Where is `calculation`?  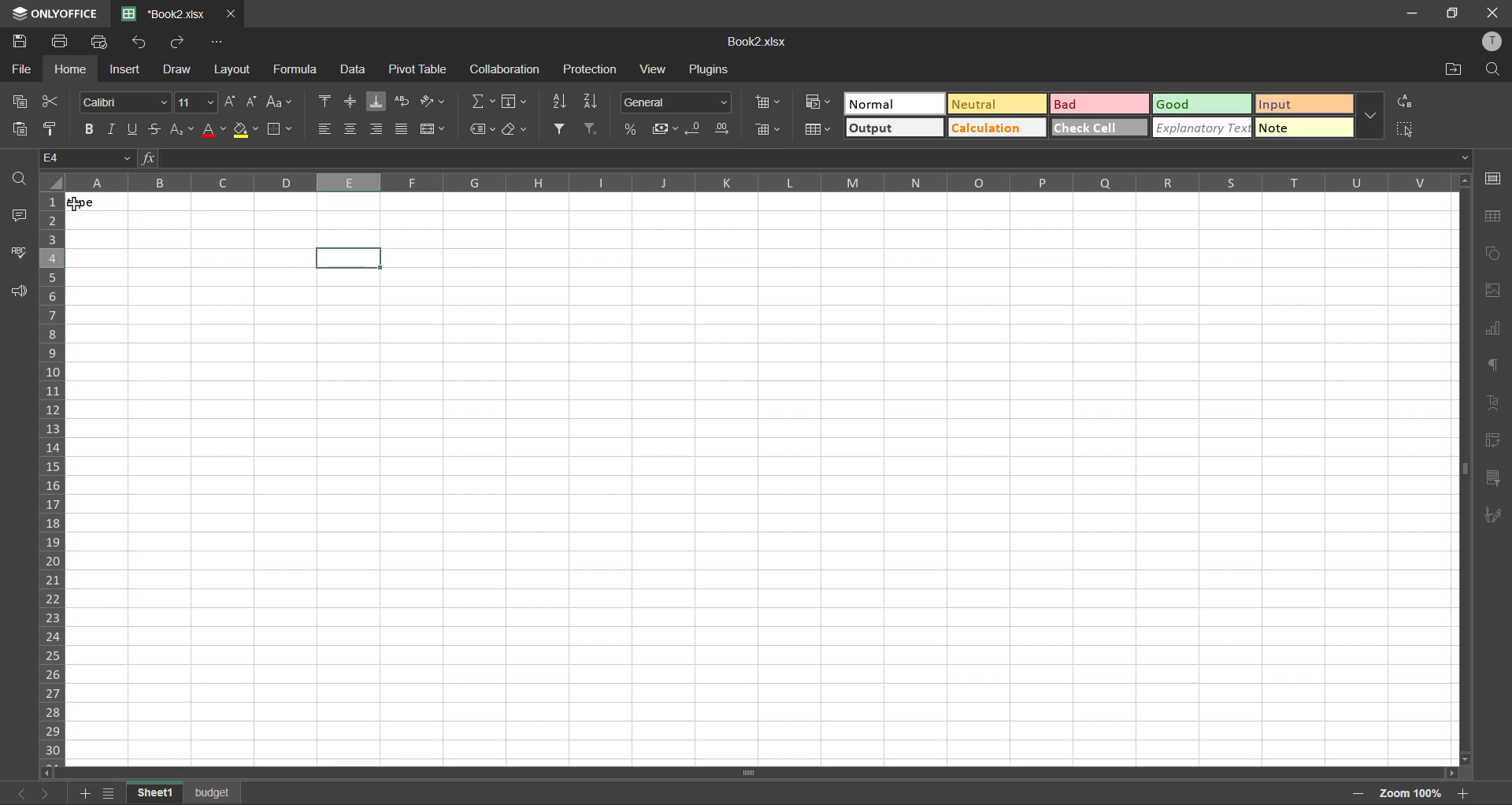
calculation is located at coordinates (994, 128).